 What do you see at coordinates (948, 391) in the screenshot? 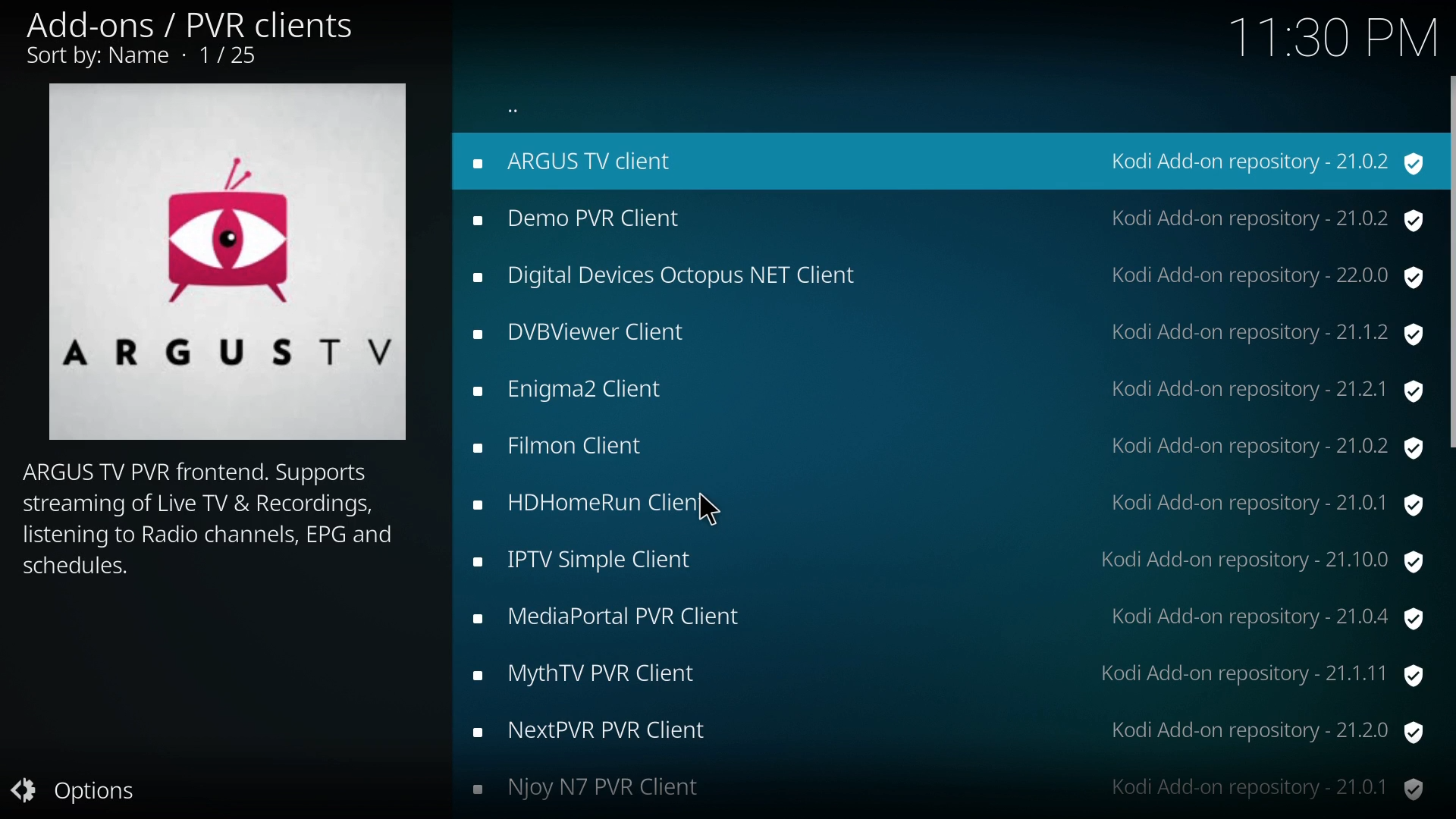
I see `Enigma2 Client Kodi Add-on repository - 21.2.1` at bounding box center [948, 391].